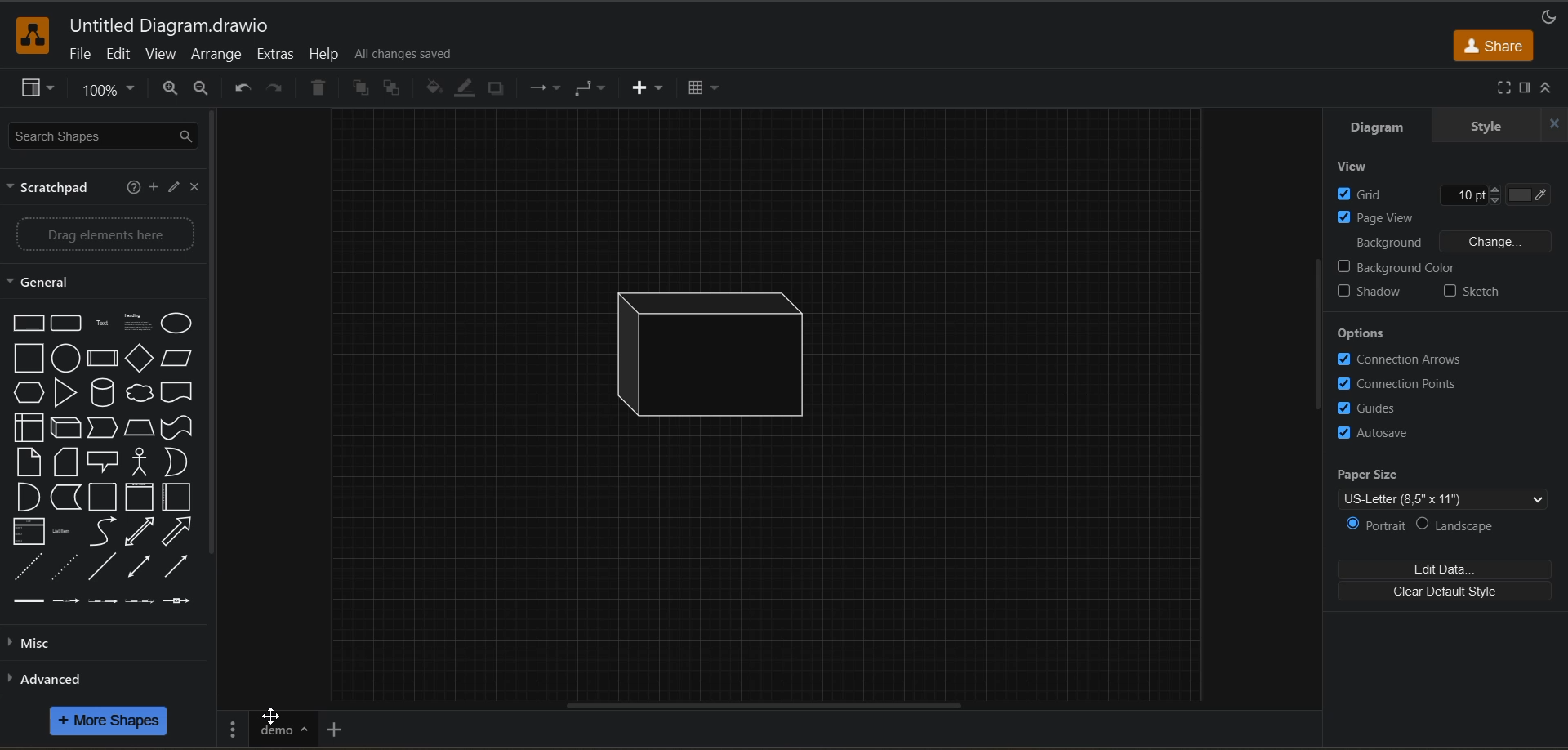  I want to click on options, so click(1394, 334).